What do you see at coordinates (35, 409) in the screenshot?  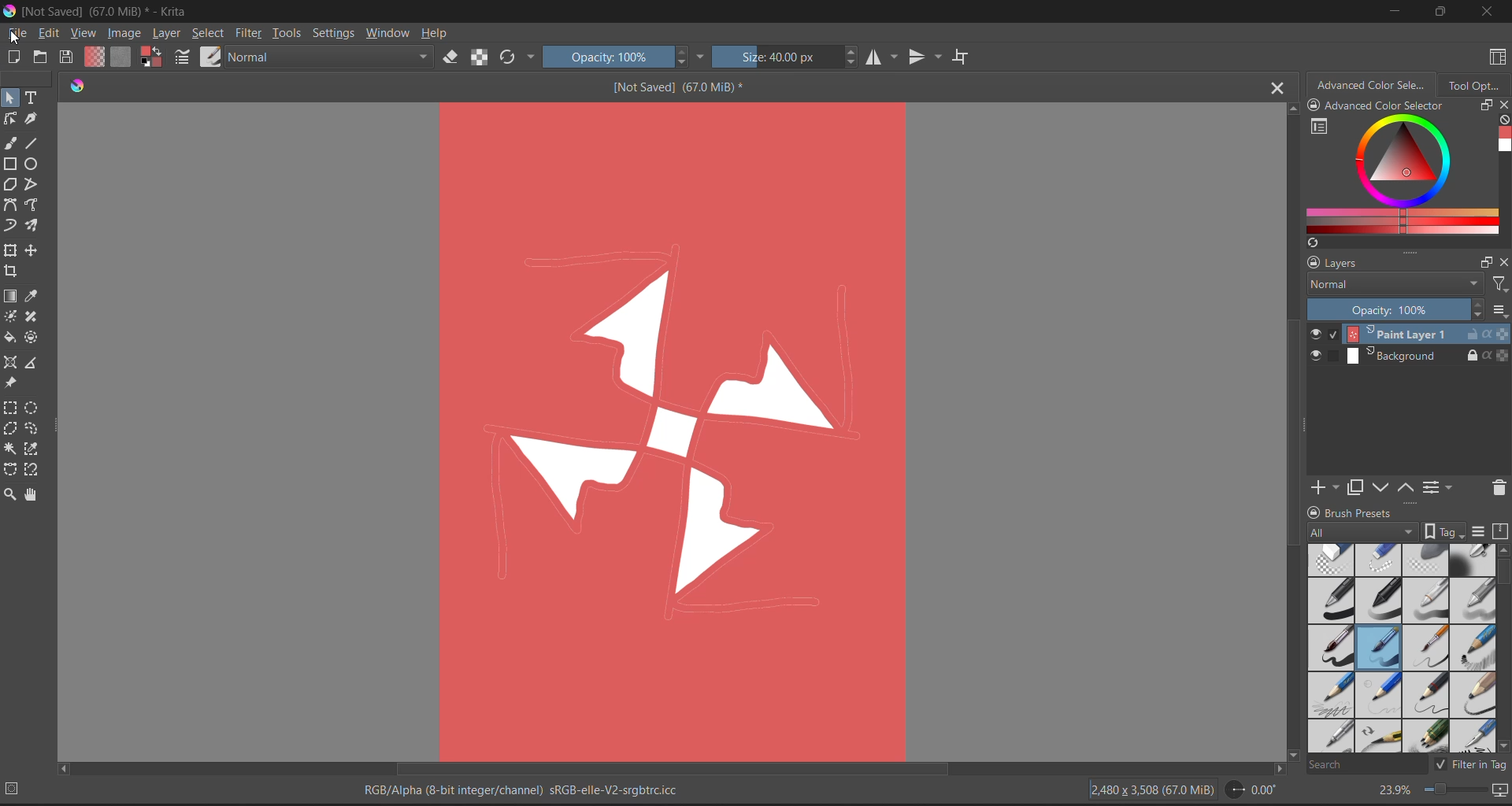 I see `tools` at bounding box center [35, 409].